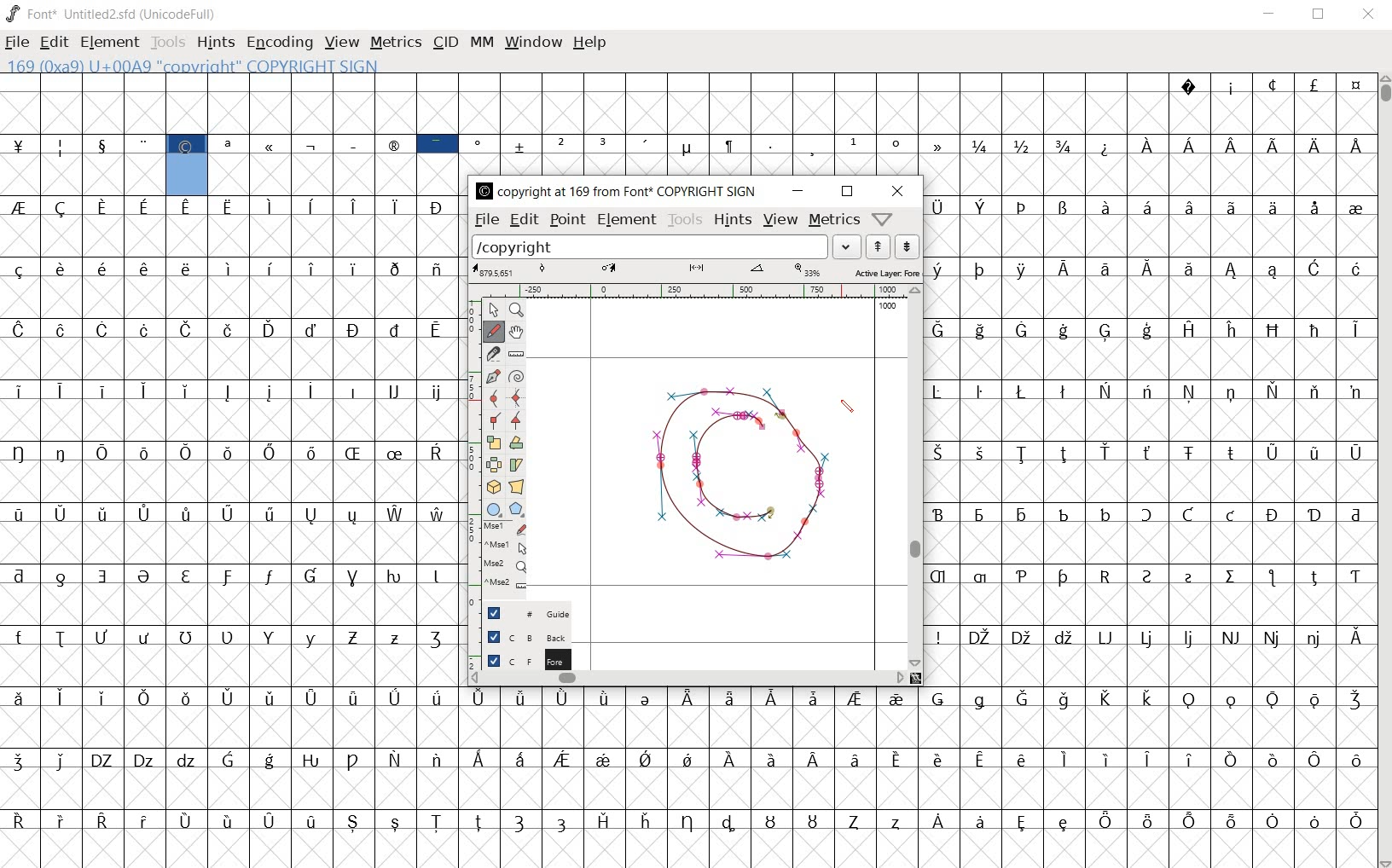 The width and height of the screenshot is (1392, 868). I want to click on mAGNIFY, so click(516, 310).